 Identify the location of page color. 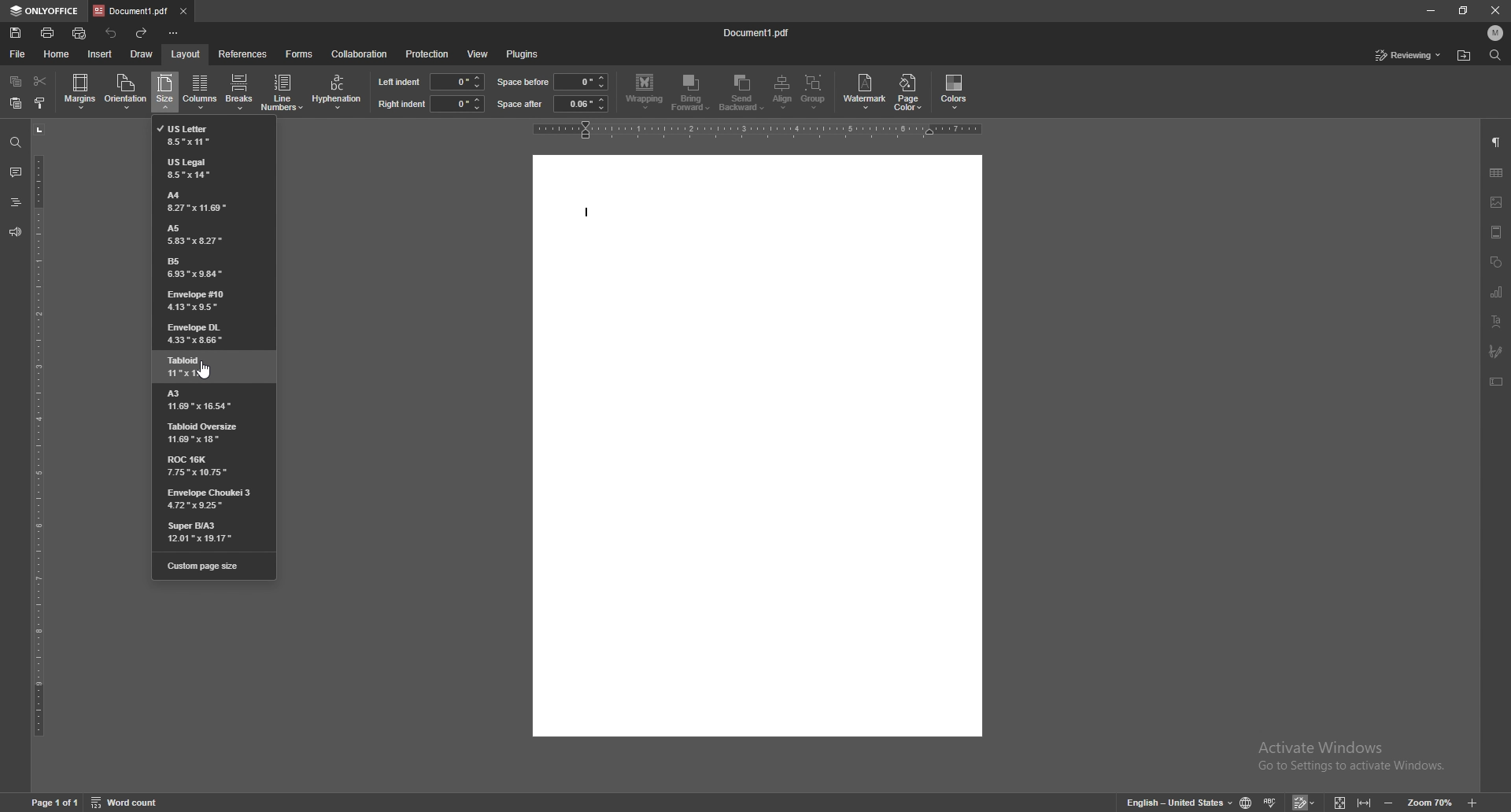
(911, 91).